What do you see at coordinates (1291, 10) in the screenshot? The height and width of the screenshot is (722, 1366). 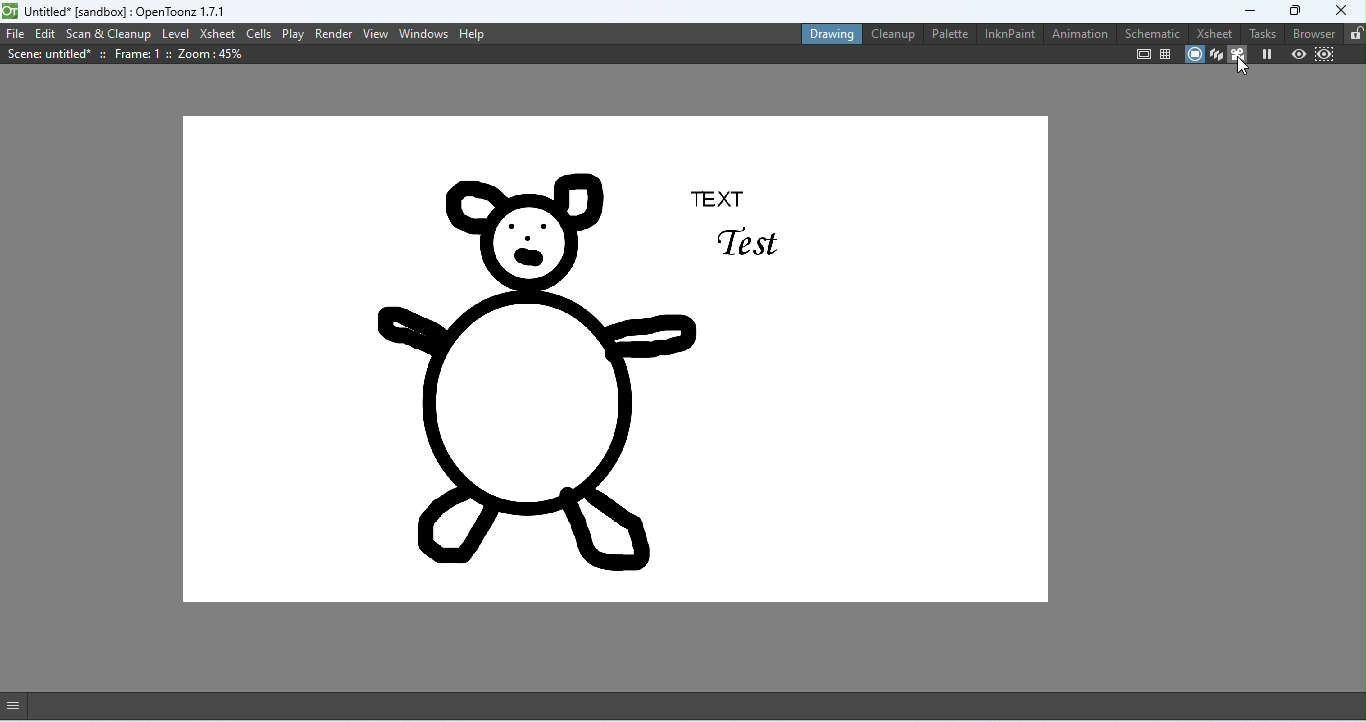 I see `maximize` at bounding box center [1291, 10].